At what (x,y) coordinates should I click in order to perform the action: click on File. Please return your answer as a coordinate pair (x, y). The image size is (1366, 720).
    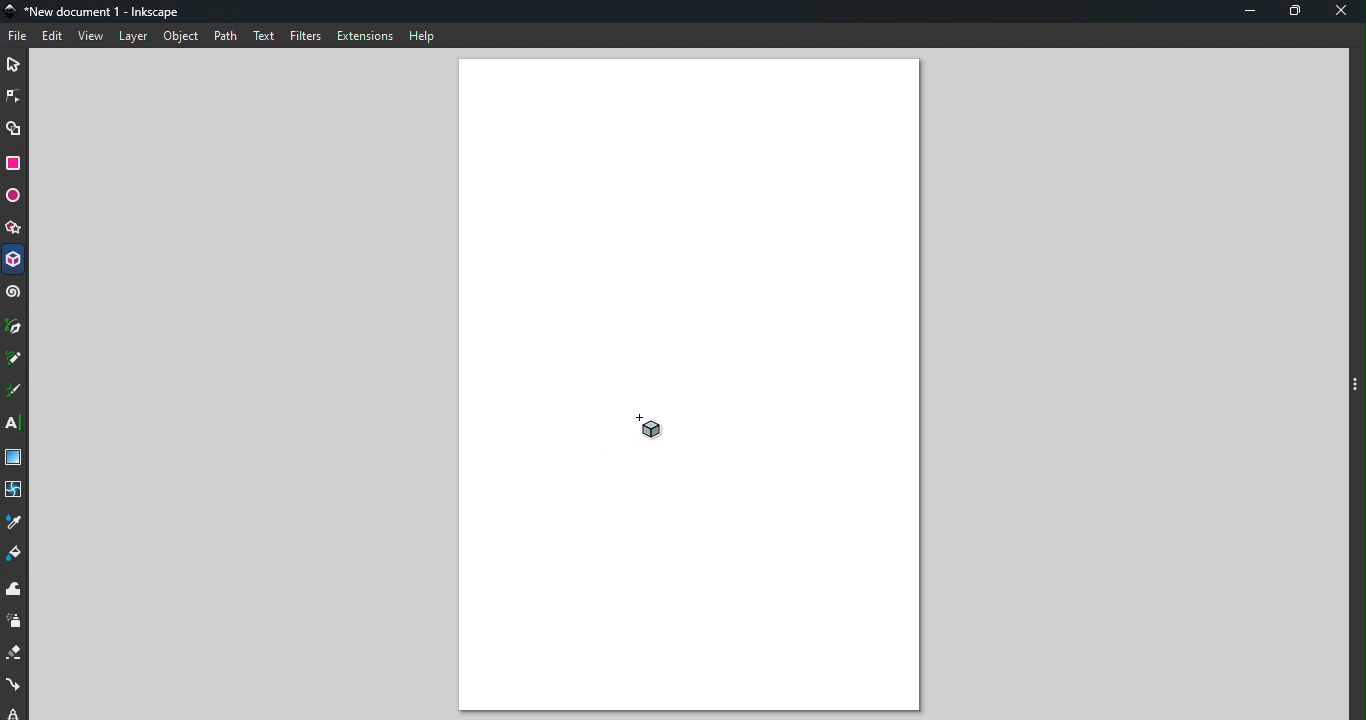
    Looking at the image, I should click on (18, 37).